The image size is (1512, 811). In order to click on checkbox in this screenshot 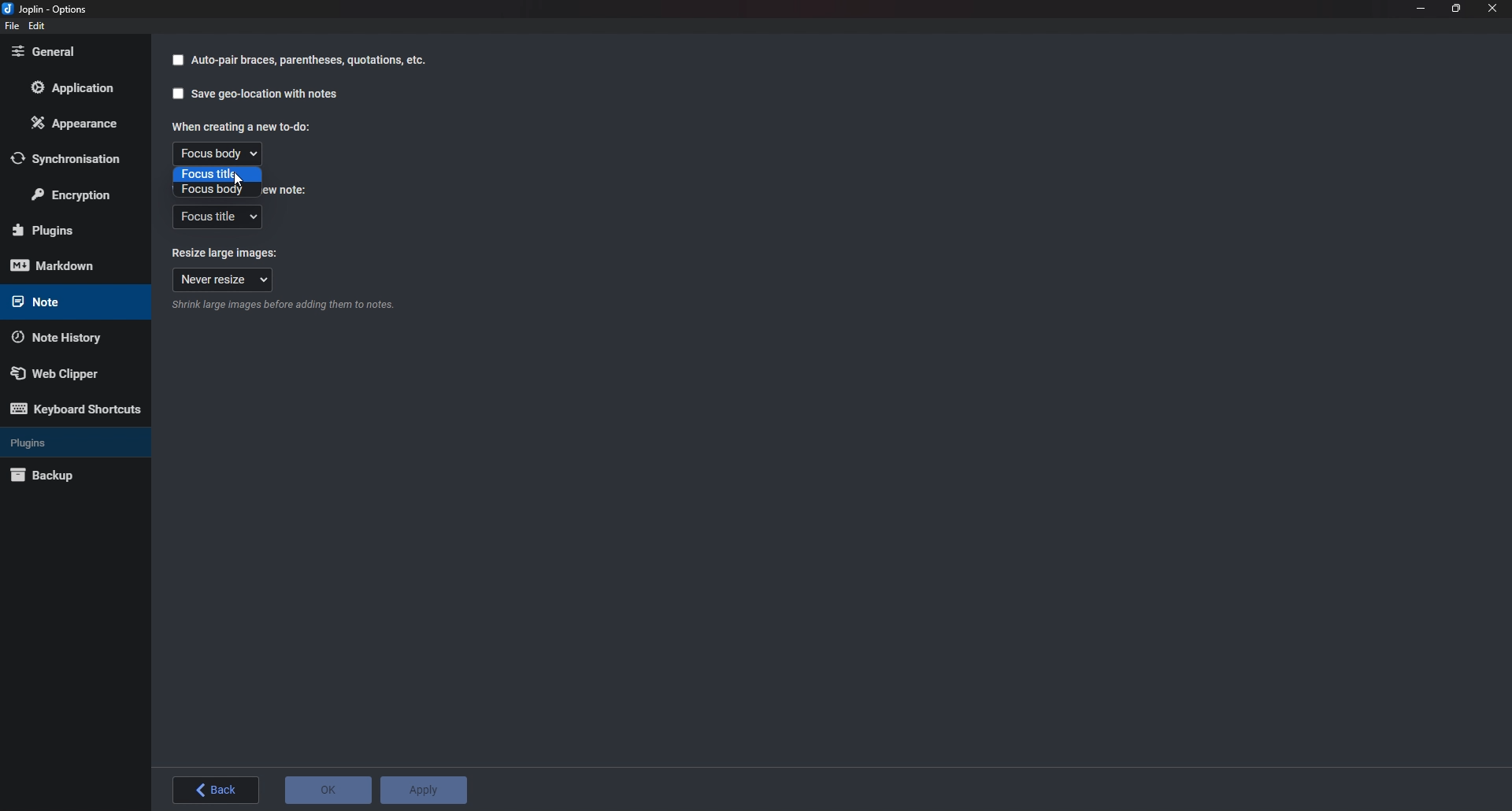, I will do `click(177, 61)`.